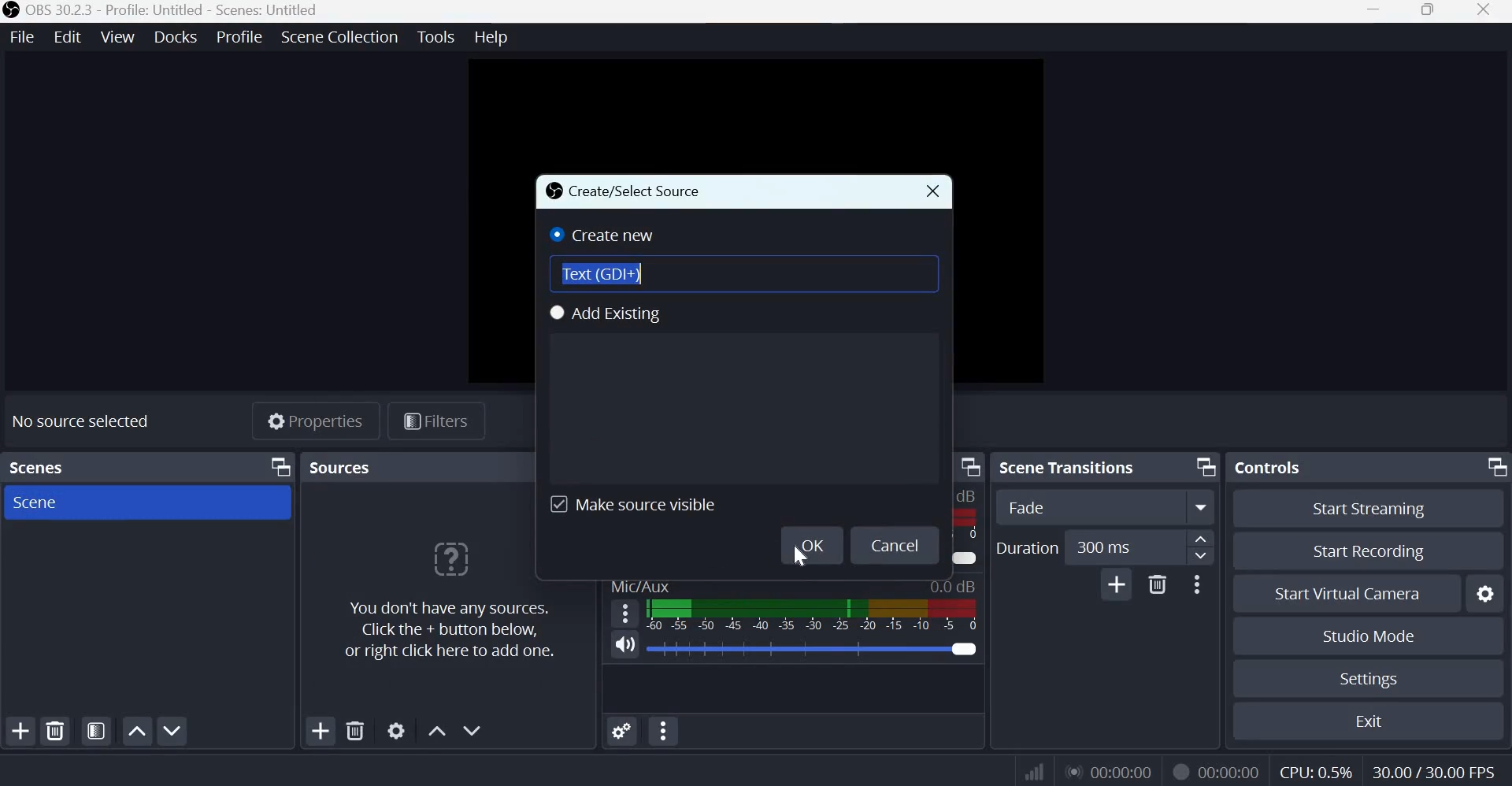 The width and height of the screenshot is (1512, 786). What do you see at coordinates (813, 649) in the screenshot?
I see `0.0 dB` at bounding box center [813, 649].